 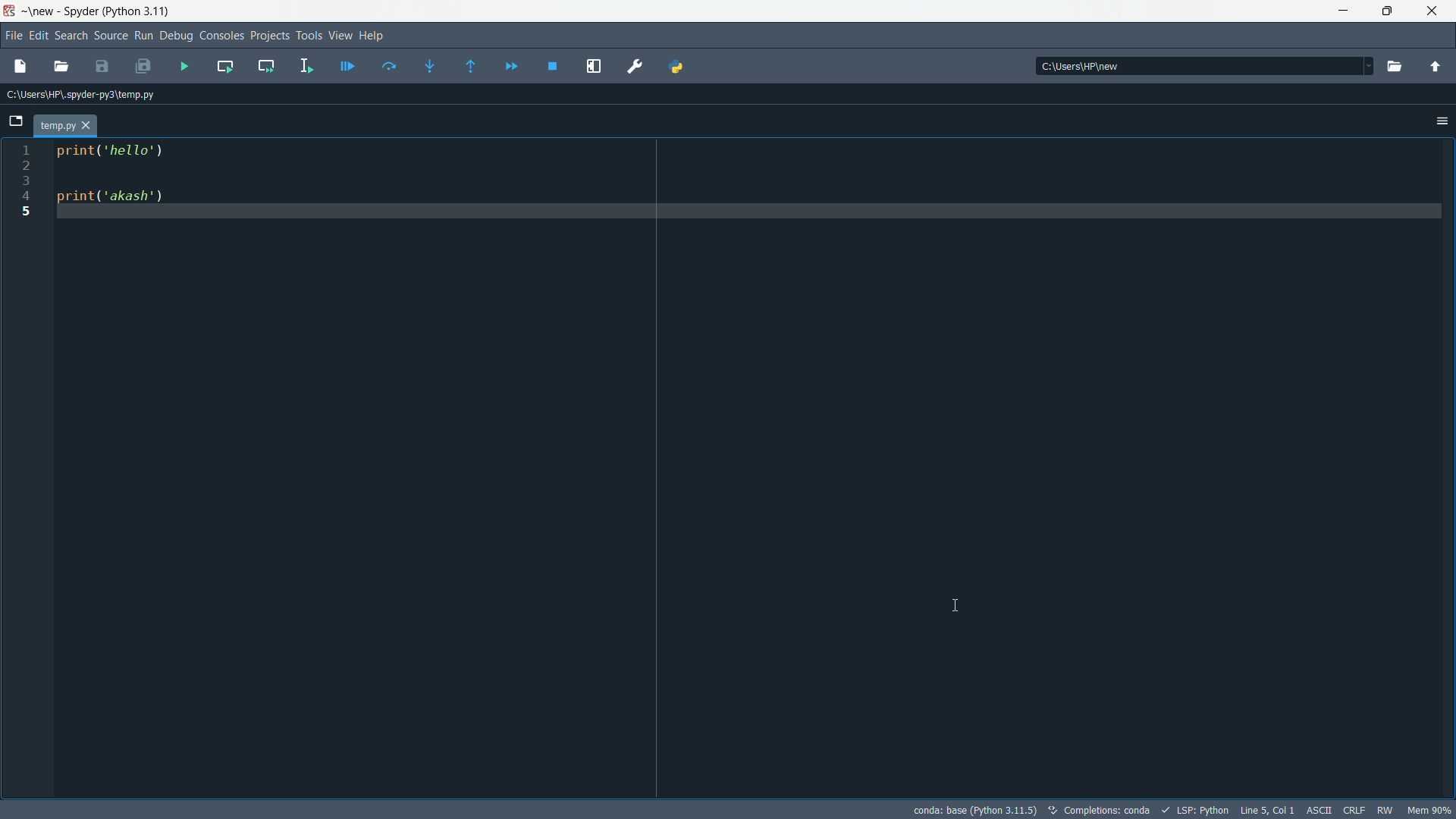 What do you see at coordinates (222, 36) in the screenshot?
I see `consoles menu` at bounding box center [222, 36].